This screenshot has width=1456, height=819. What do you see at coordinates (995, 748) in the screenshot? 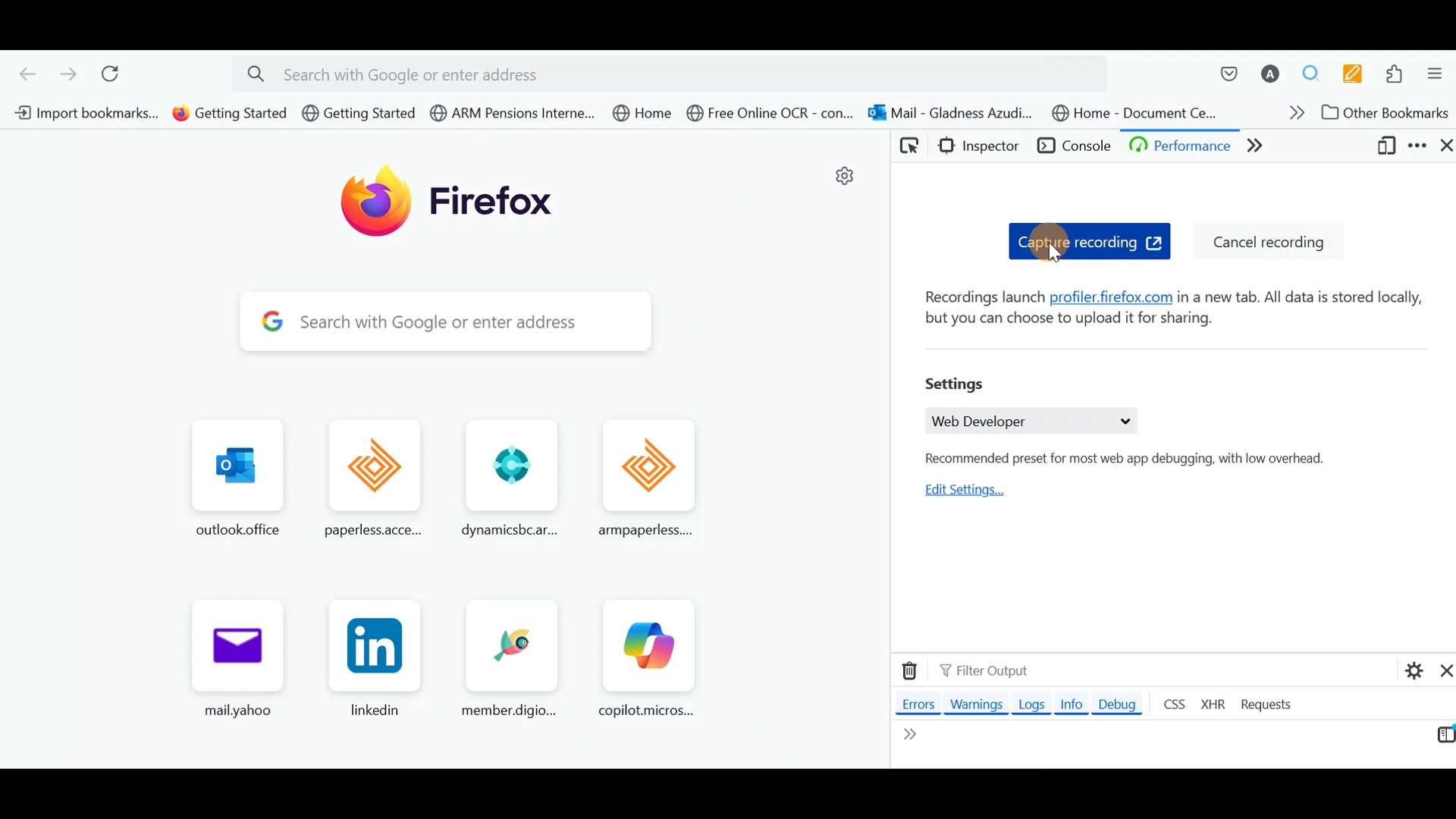
I see `Line editor` at bounding box center [995, 748].